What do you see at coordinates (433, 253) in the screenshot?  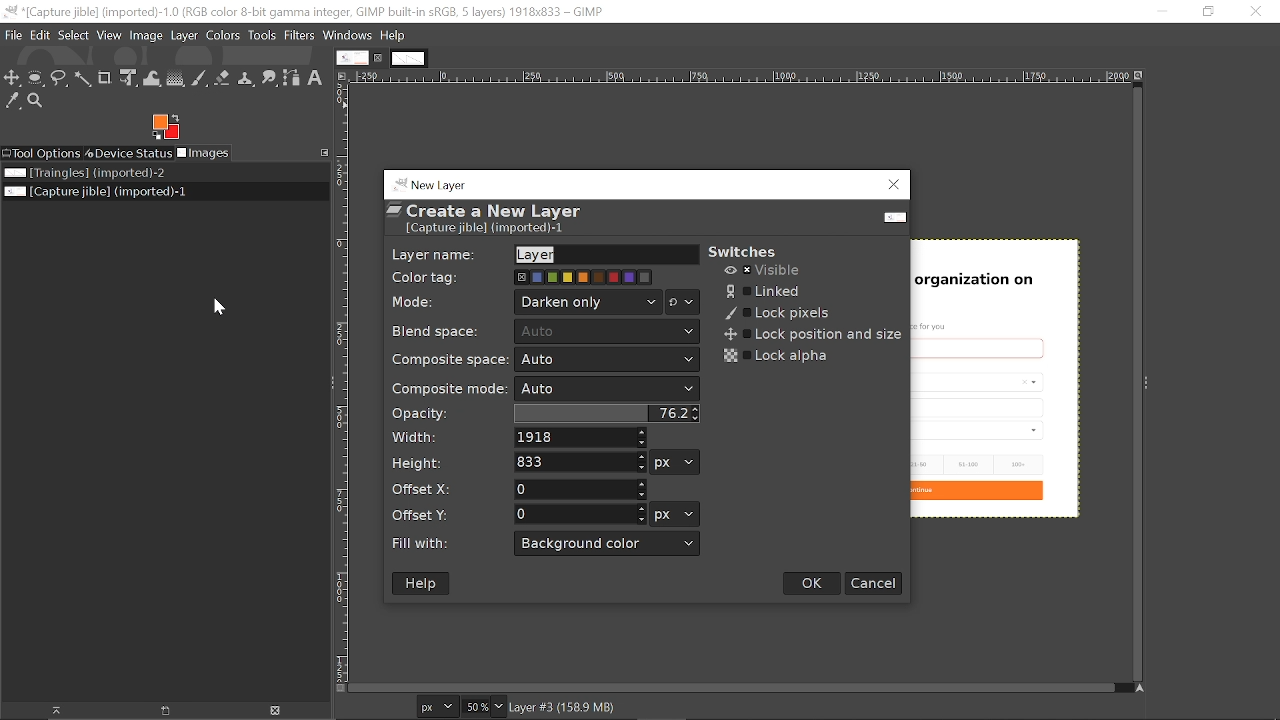 I see `Layer name:` at bounding box center [433, 253].